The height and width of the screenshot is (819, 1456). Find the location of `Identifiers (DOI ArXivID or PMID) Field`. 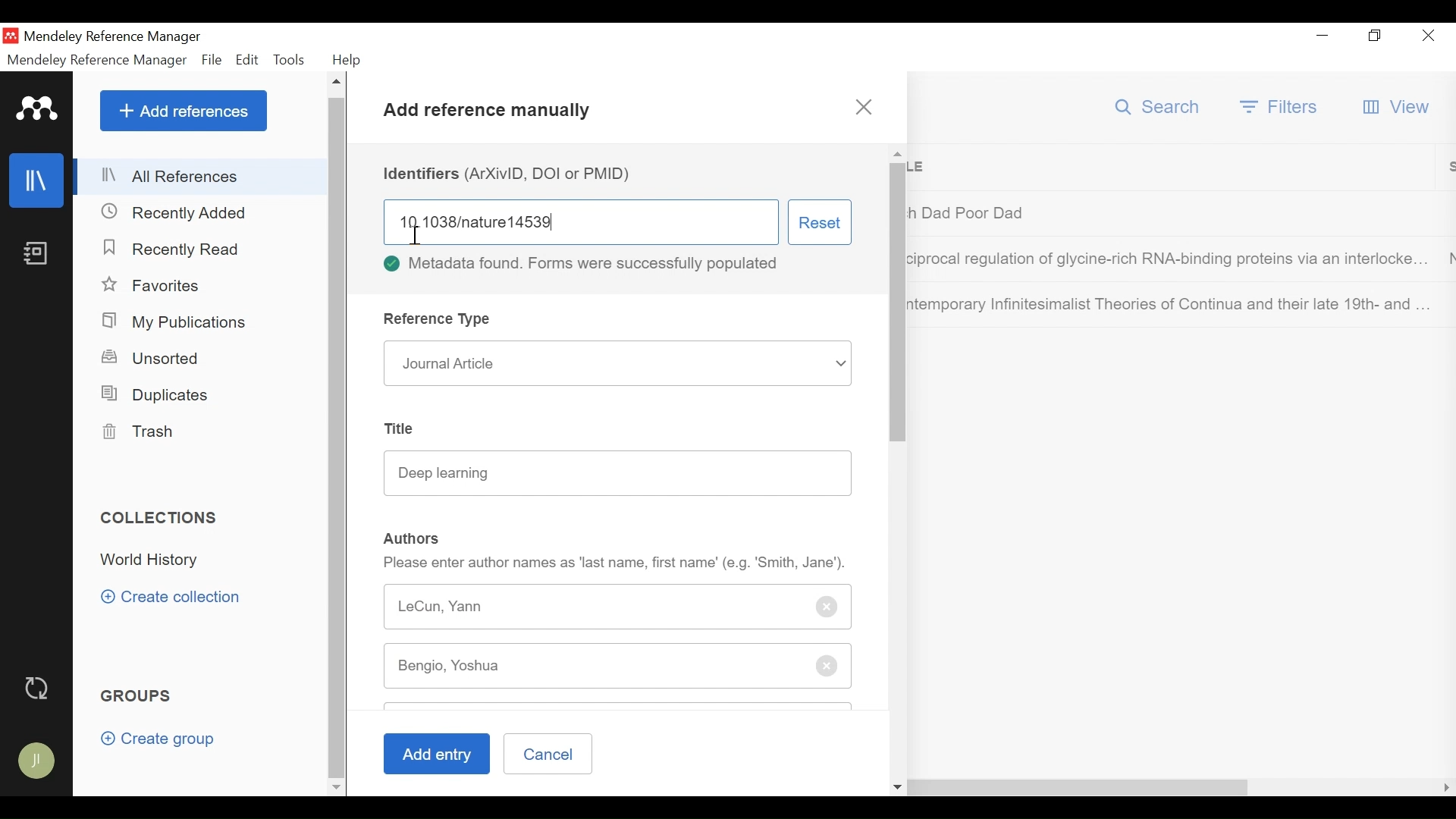

Identifiers (DOI ArXivID or PMID) Field is located at coordinates (580, 221).